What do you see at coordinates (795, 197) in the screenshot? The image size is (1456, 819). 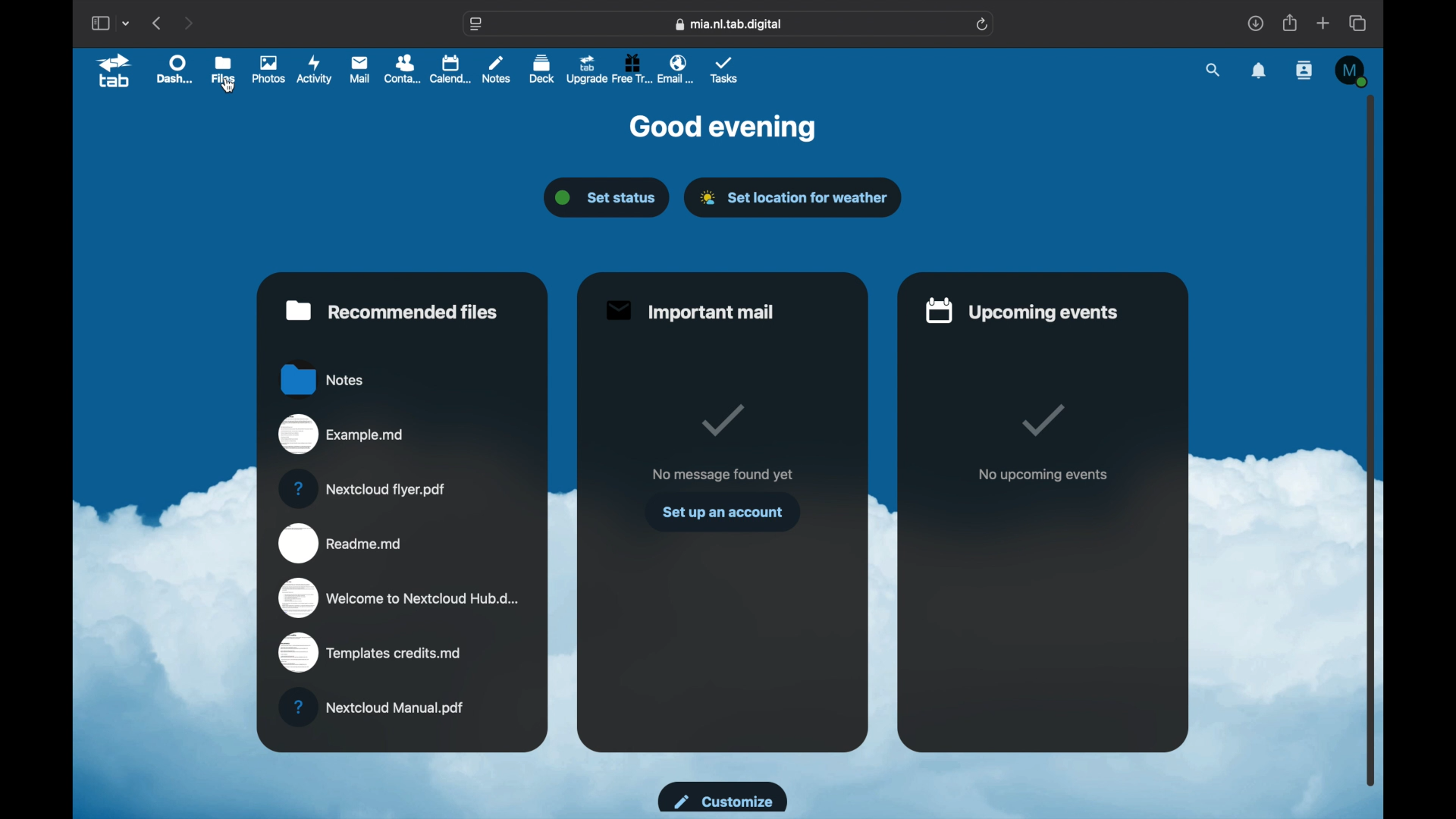 I see `set location for weather` at bounding box center [795, 197].